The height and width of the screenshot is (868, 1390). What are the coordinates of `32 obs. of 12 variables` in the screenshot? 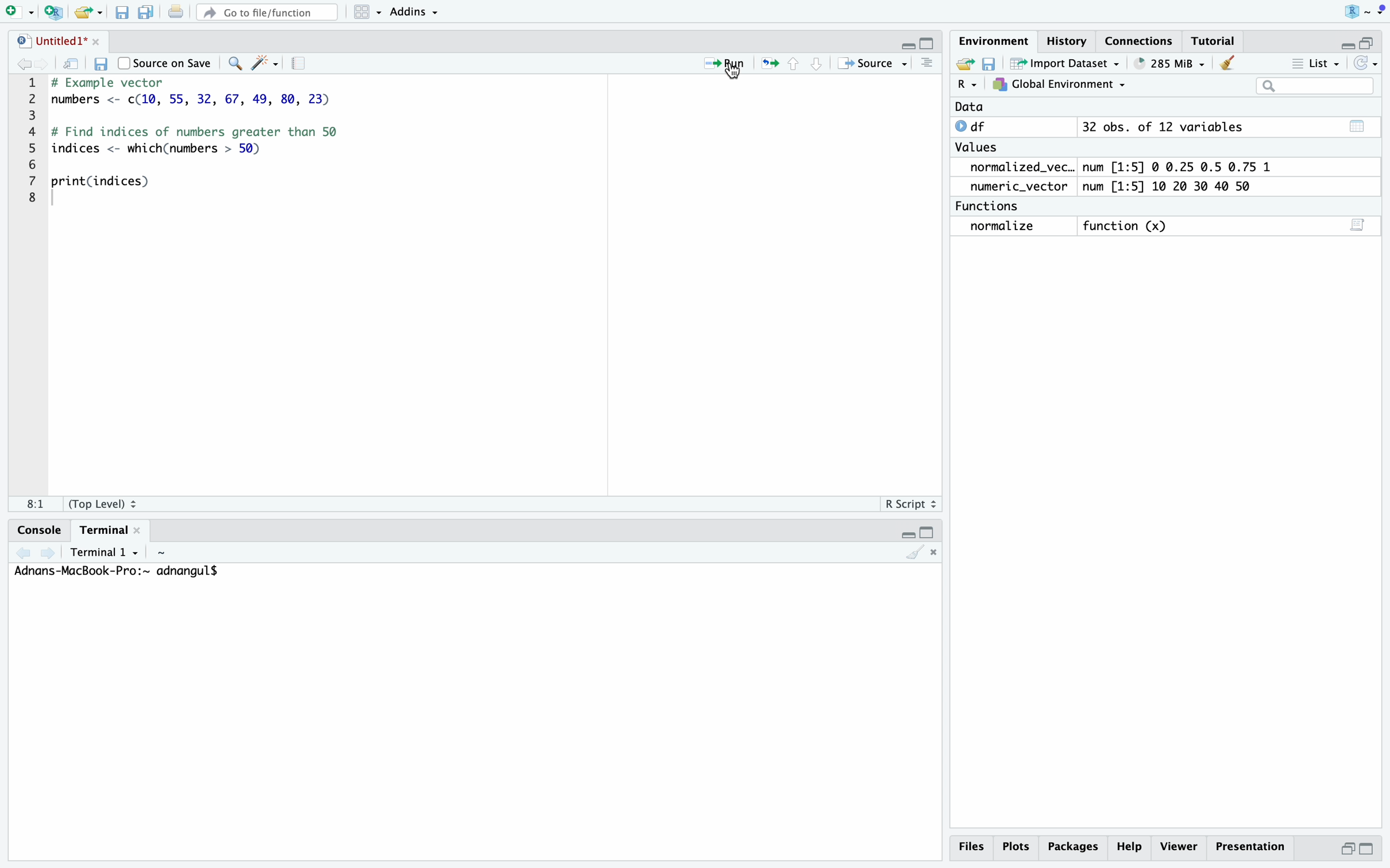 It's located at (1227, 130).